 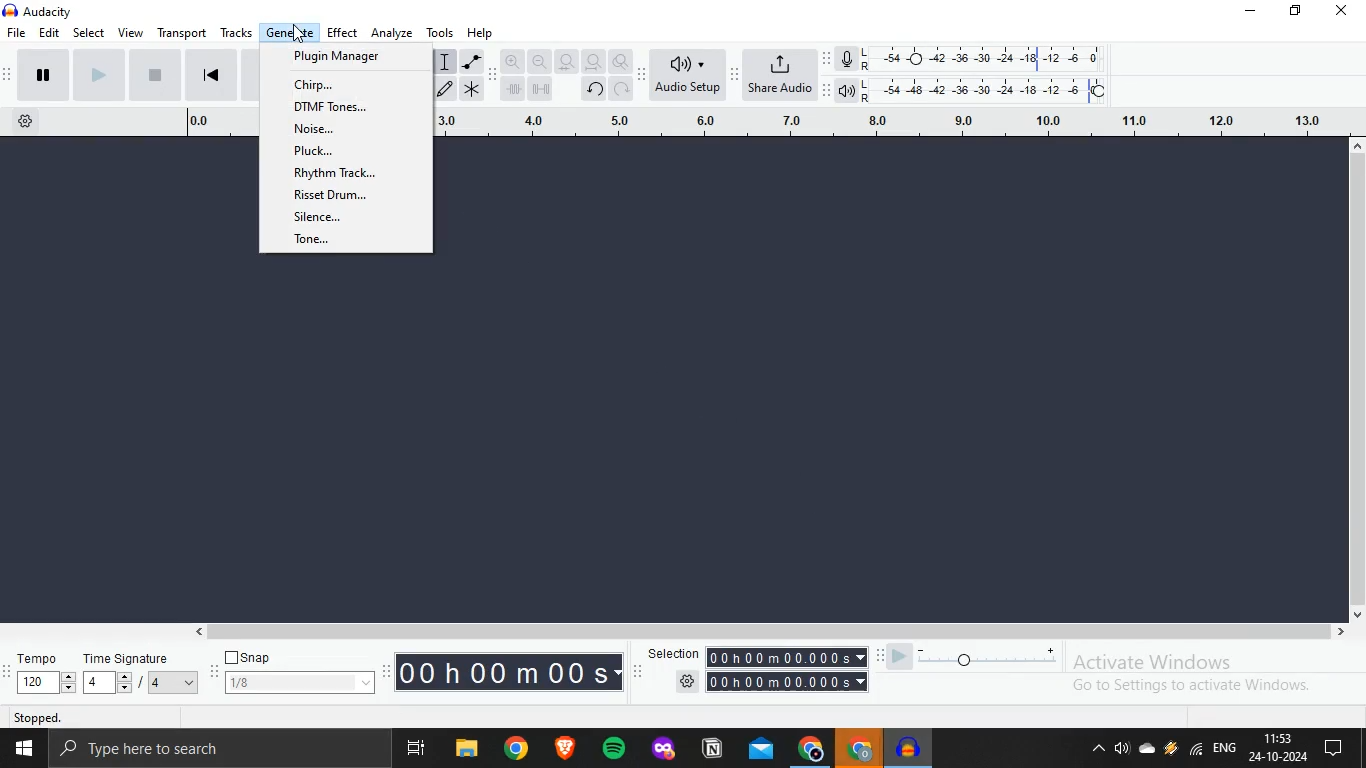 I want to click on Weather, so click(x=1171, y=750).